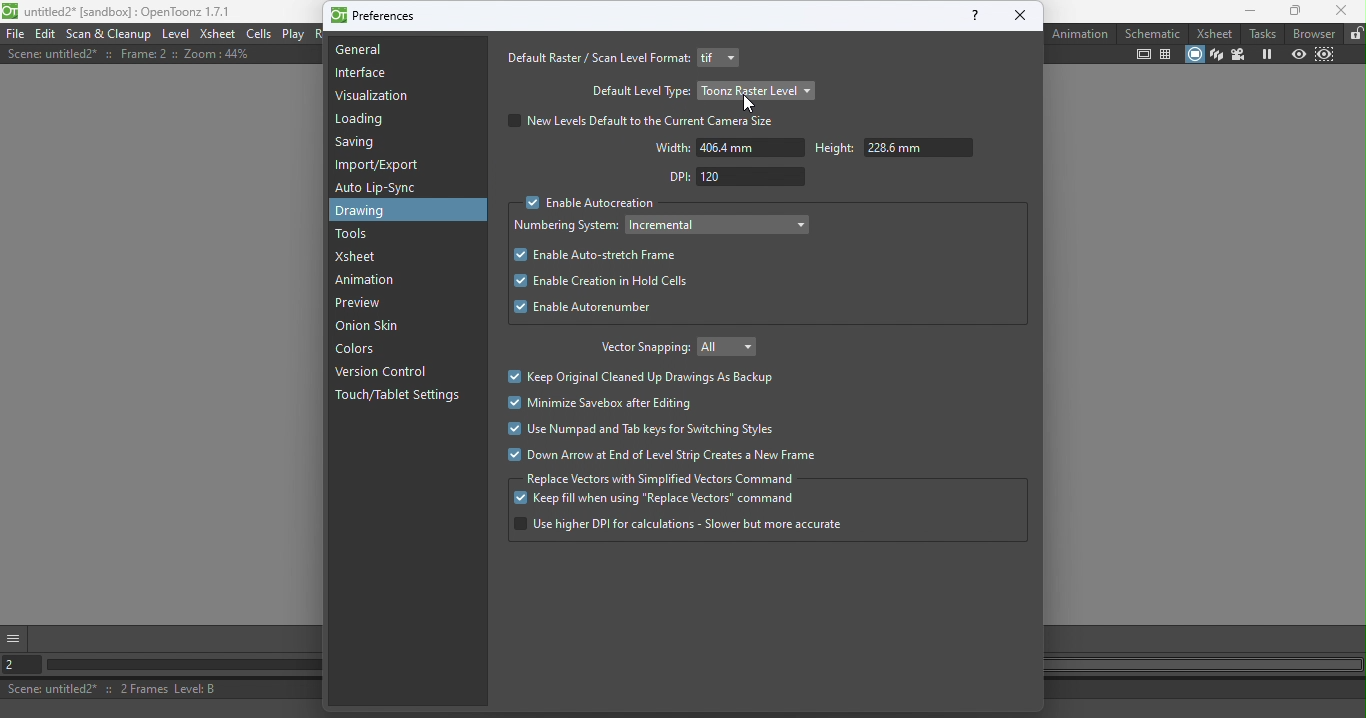 The image size is (1366, 718). Describe the element at coordinates (403, 49) in the screenshot. I see `General` at that location.